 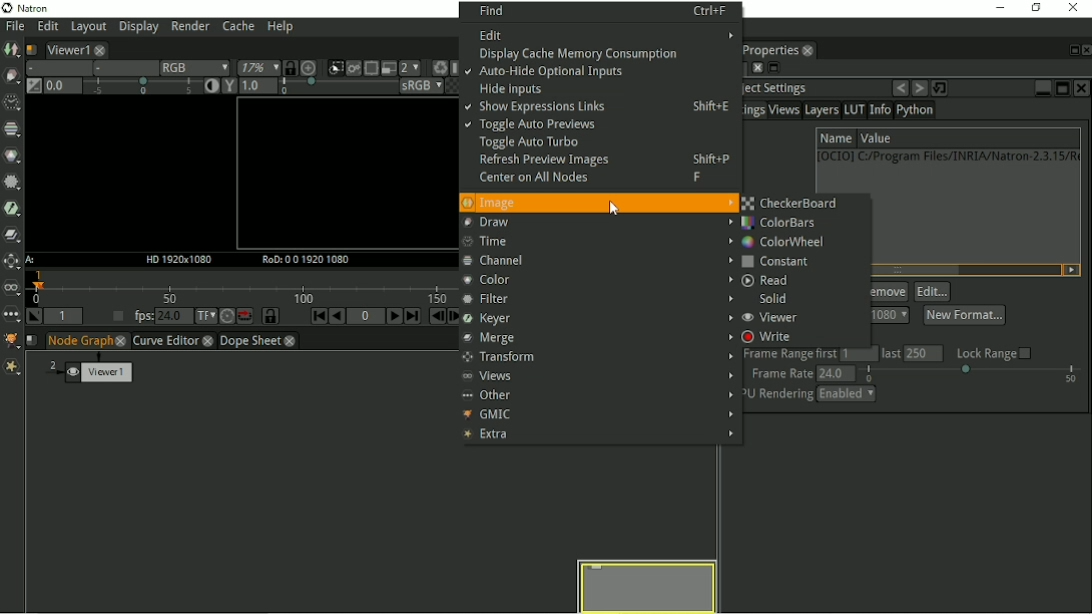 What do you see at coordinates (237, 27) in the screenshot?
I see `Cache` at bounding box center [237, 27].